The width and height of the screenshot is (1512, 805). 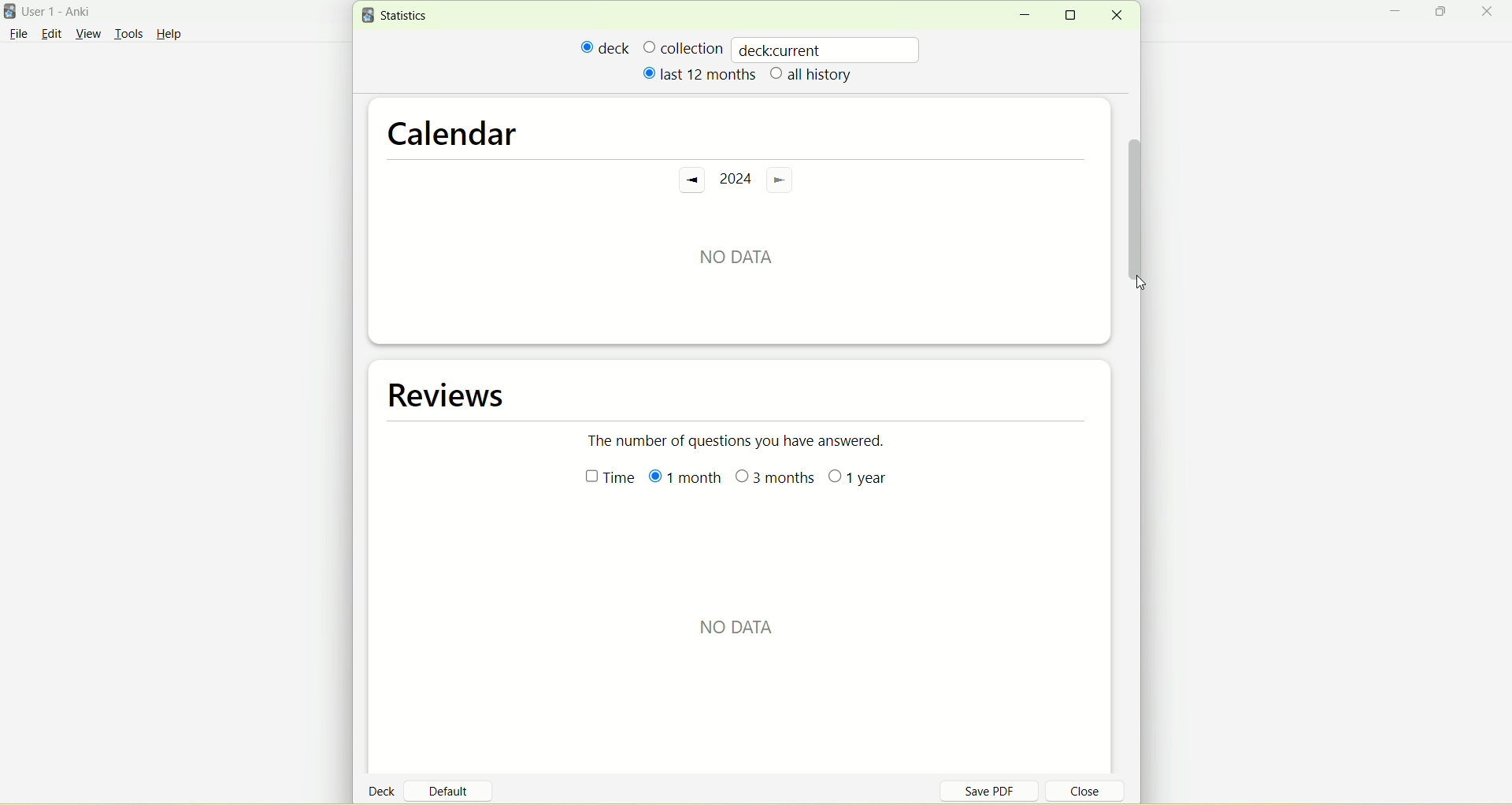 I want to click on vertical scroll bar, so click(x=1138, y=209).